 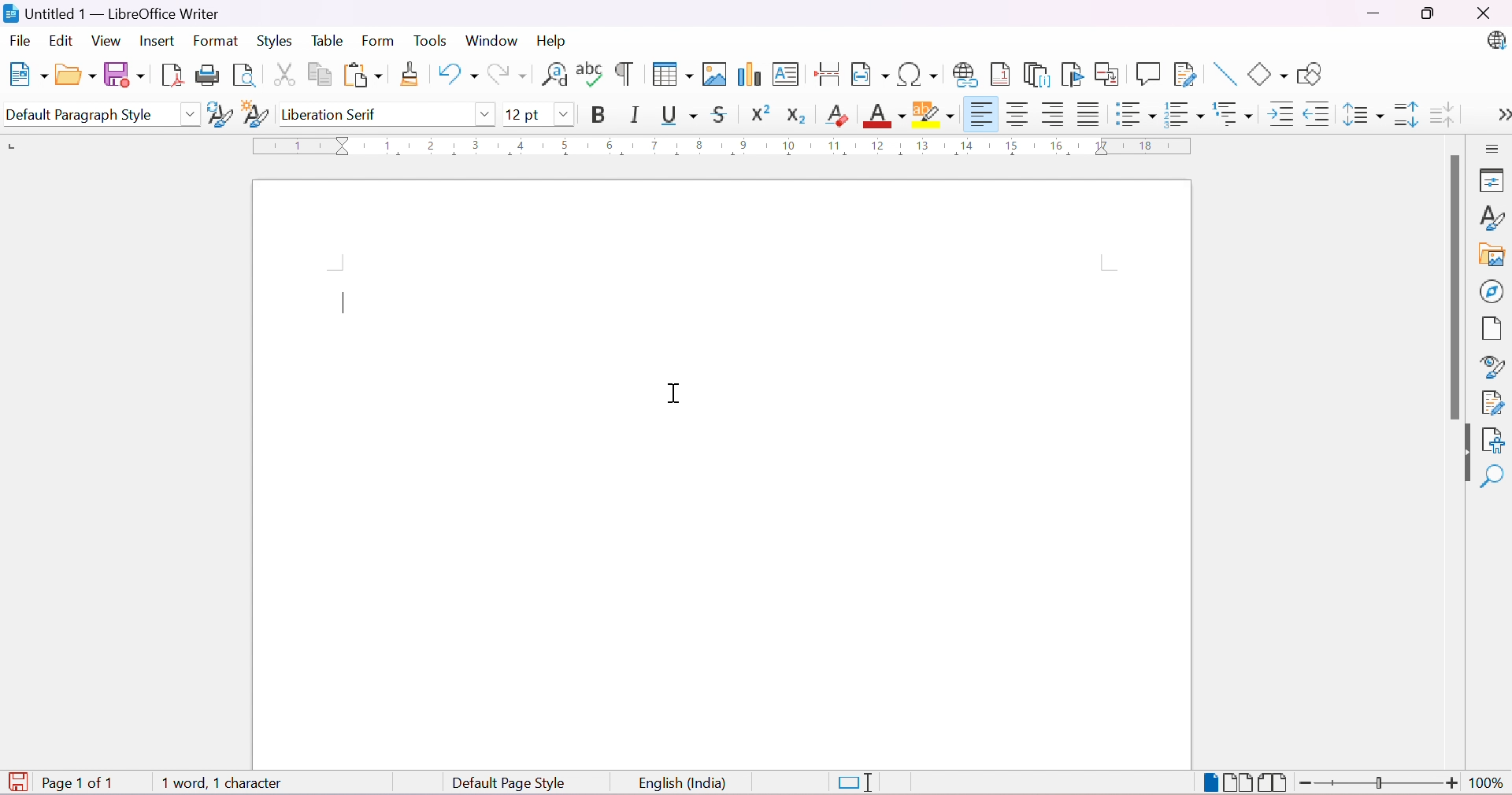 What do you see at coordinates (1492, 403) in the screenshot?
I see `Manage Changes` at bounding box center [1492, 403].